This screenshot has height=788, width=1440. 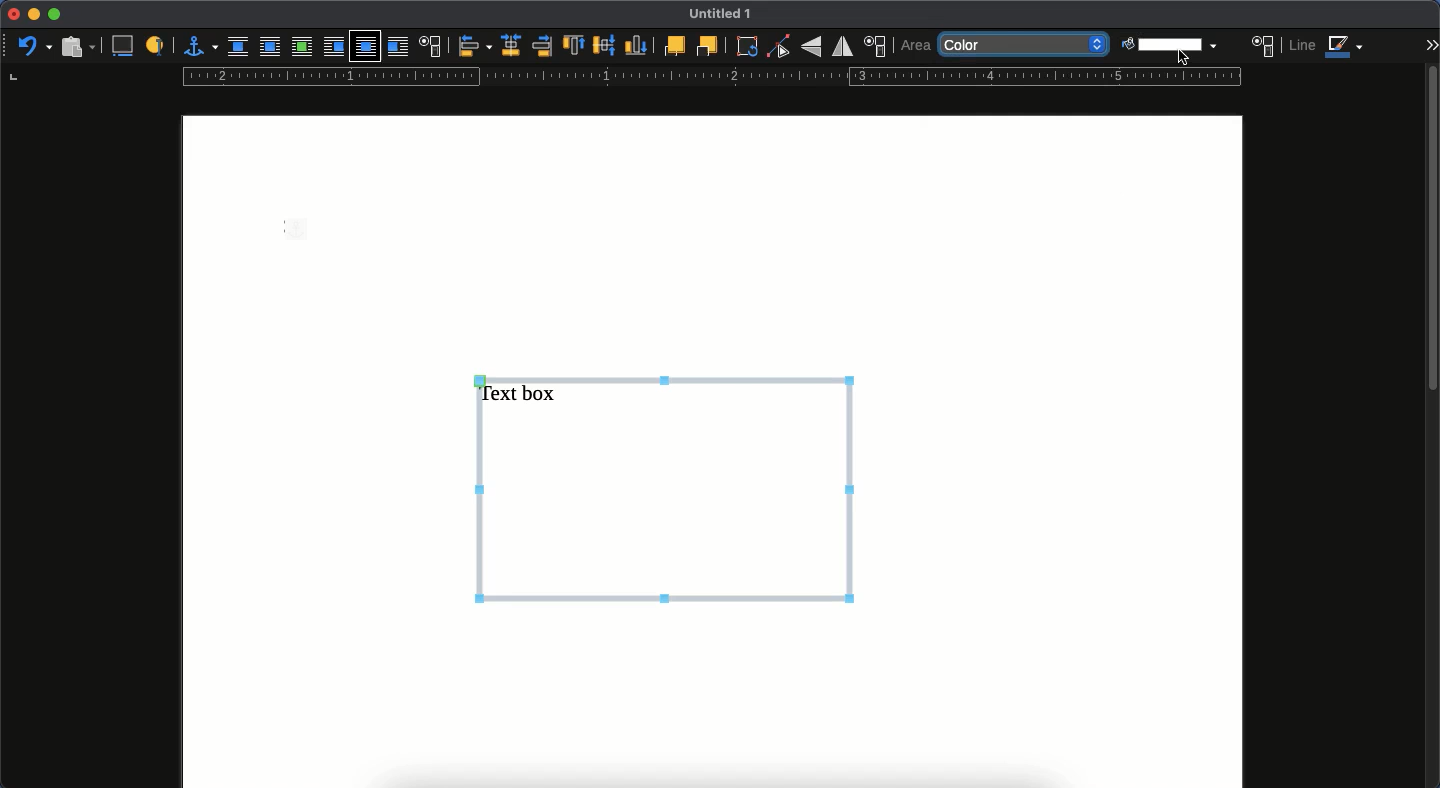 I want to click on through, so click(x=366, y=47).